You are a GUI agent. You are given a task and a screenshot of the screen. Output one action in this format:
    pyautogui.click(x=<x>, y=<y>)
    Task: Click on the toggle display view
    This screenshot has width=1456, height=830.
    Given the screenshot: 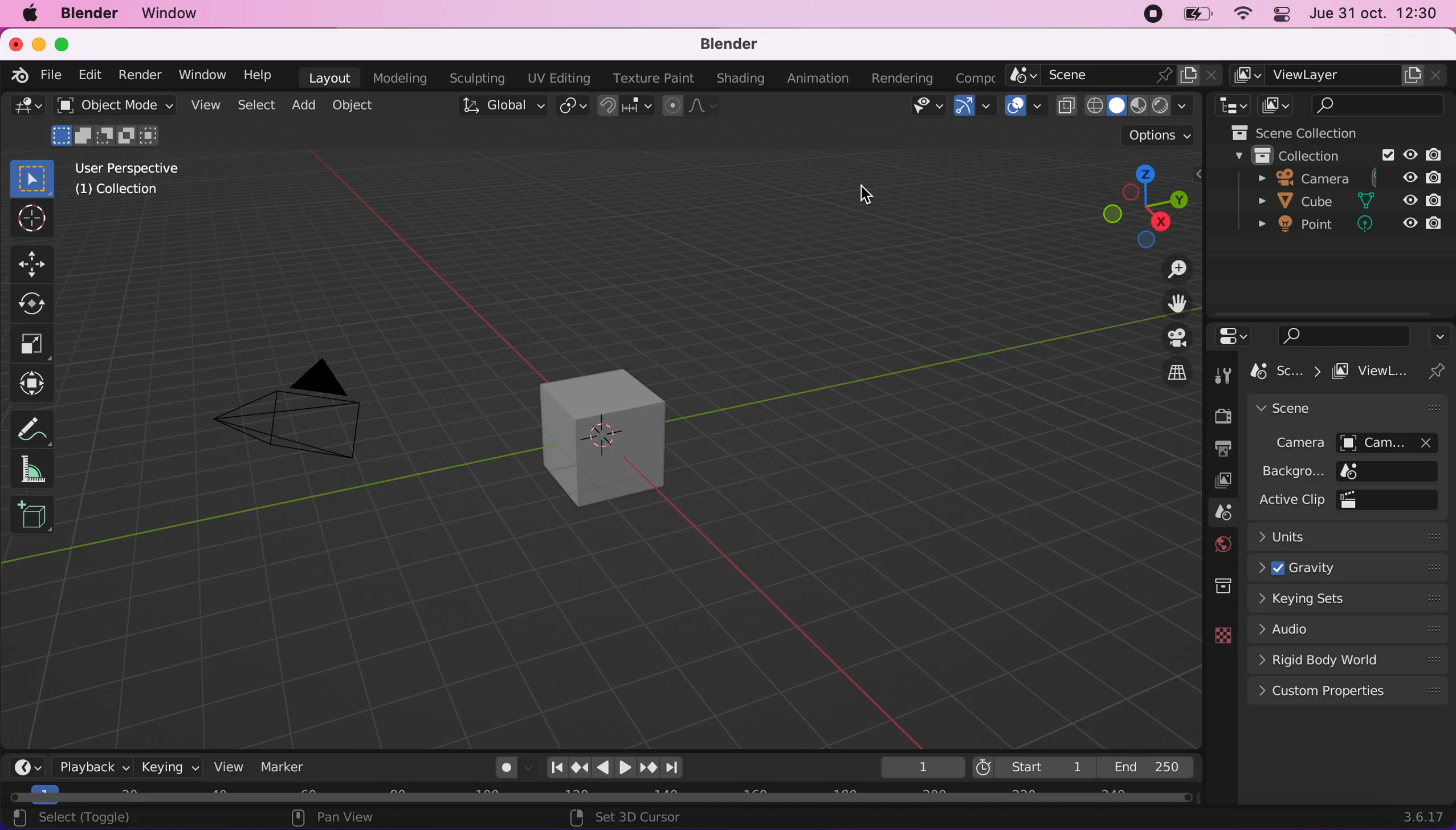 What is the action you would take?
    pyautogui.click(x=1168, y=337)
    